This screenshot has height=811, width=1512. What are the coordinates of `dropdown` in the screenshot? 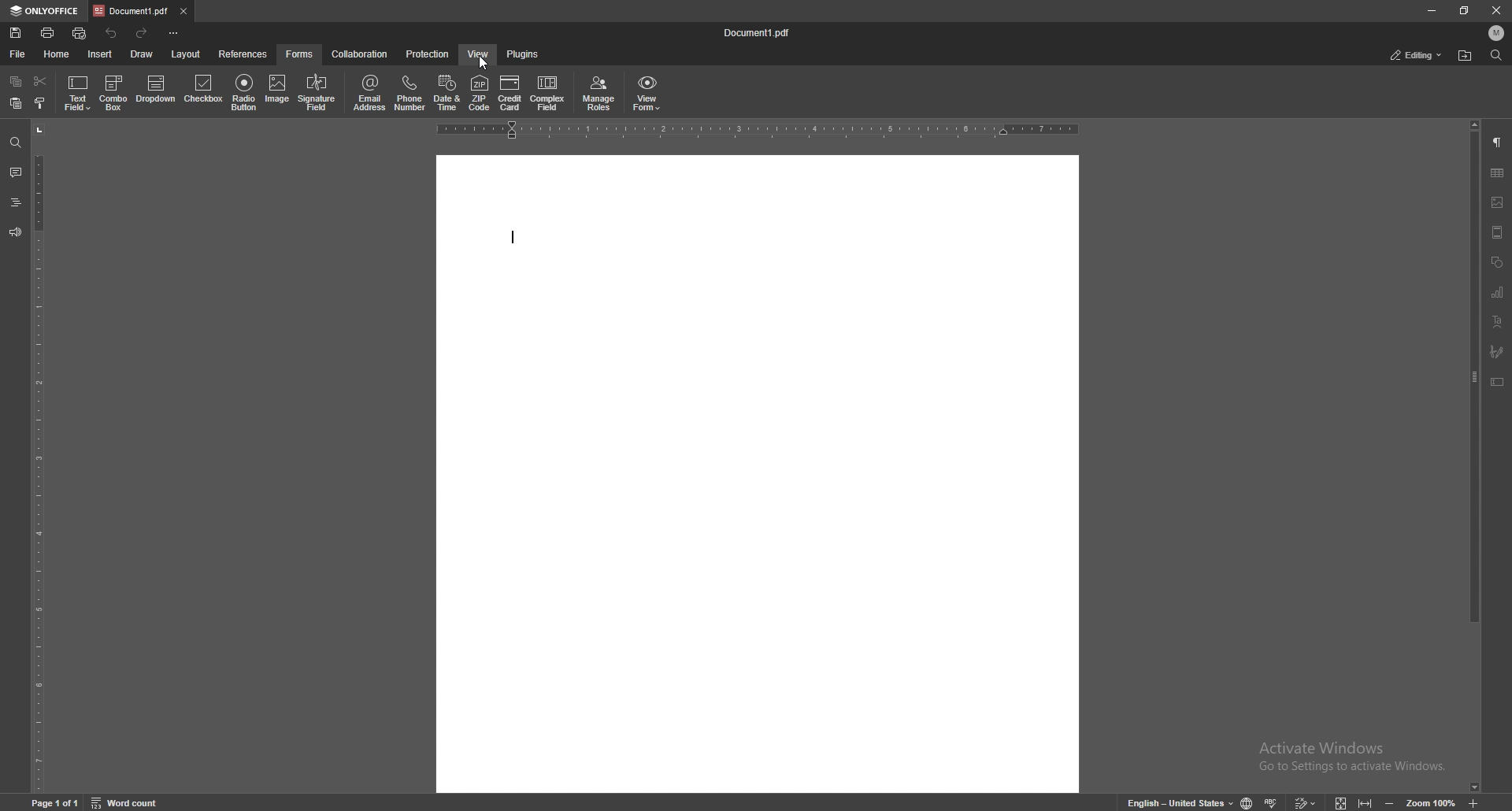 It's located at (156, 92).